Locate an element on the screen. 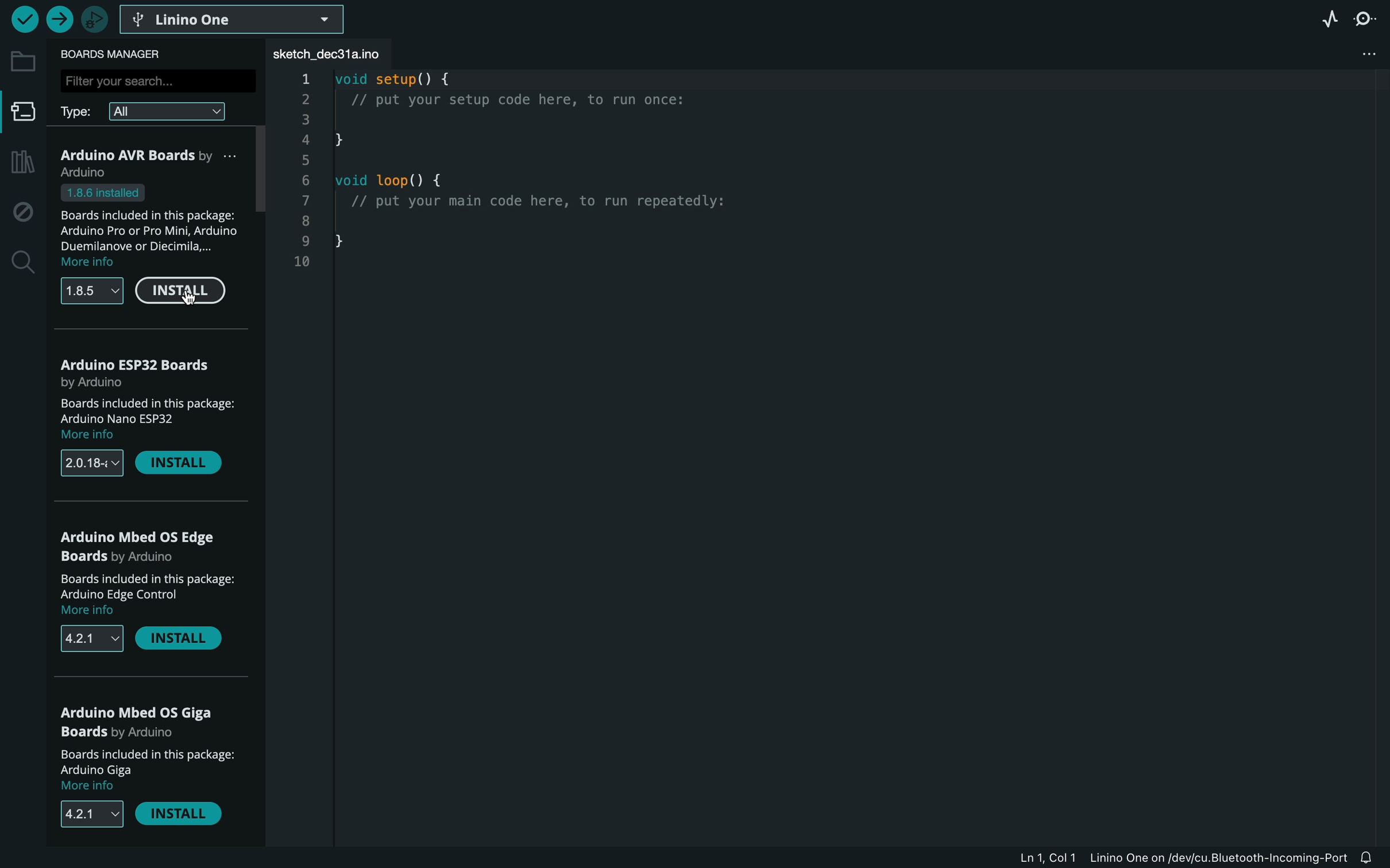 Image resolution: width=1390 pixels, height=868 pixels. description is located at coordinates (153, 227).